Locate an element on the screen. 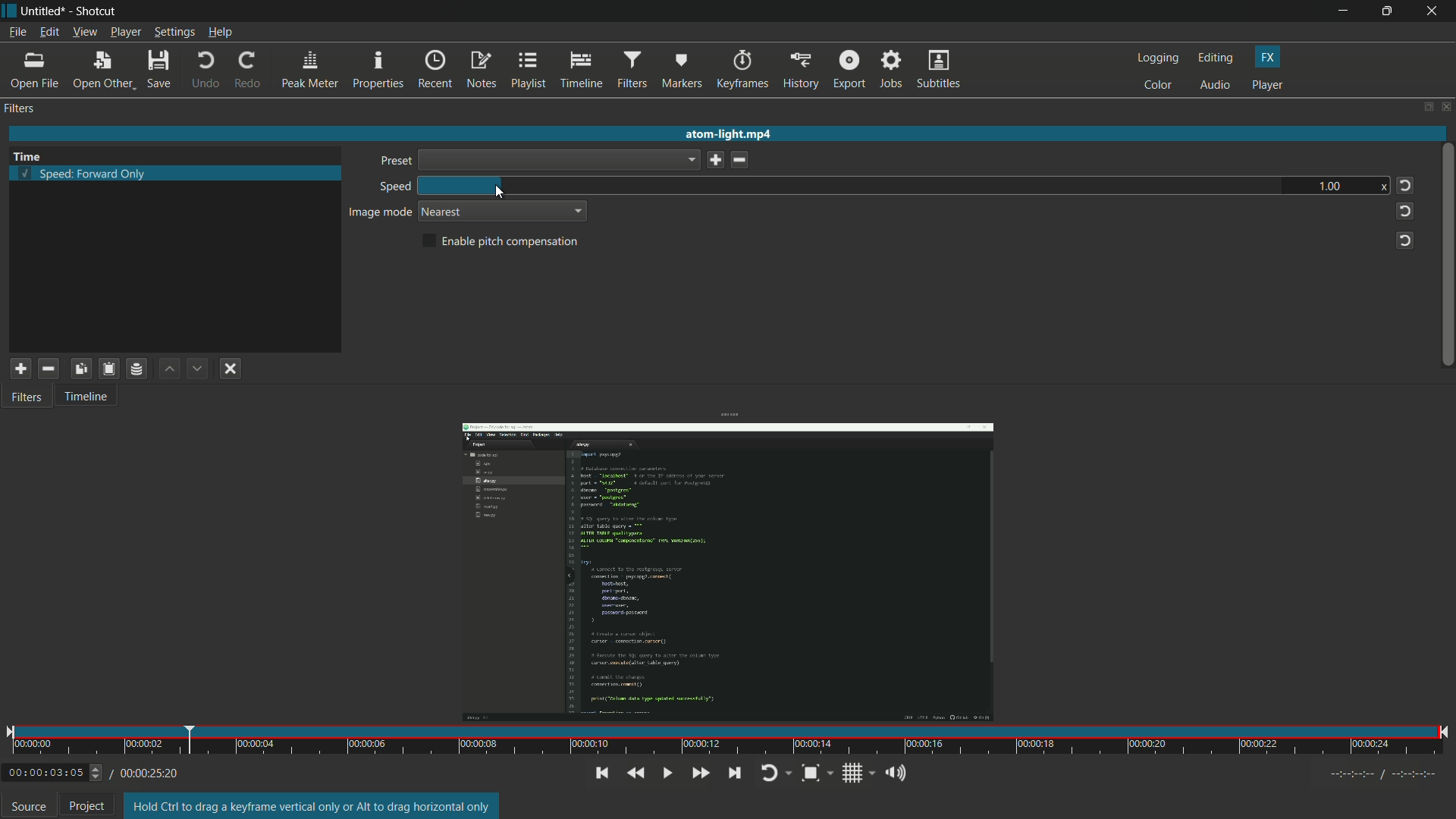  settings menu is located at coordinates (174, 33).